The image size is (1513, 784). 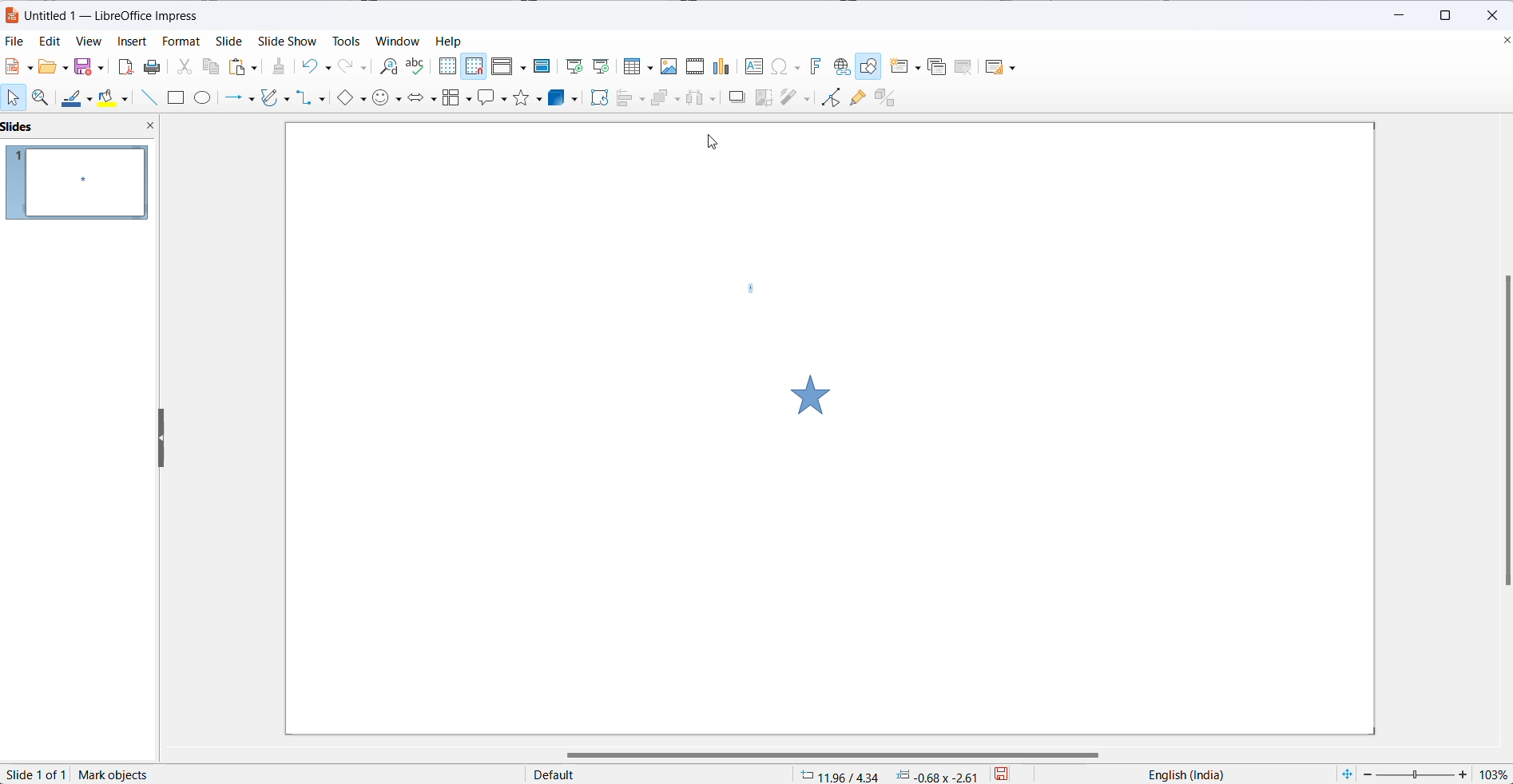 What do you see at coordinates (155, 66) in the screenshot?
I see `print` at bounding box center [155, 66].